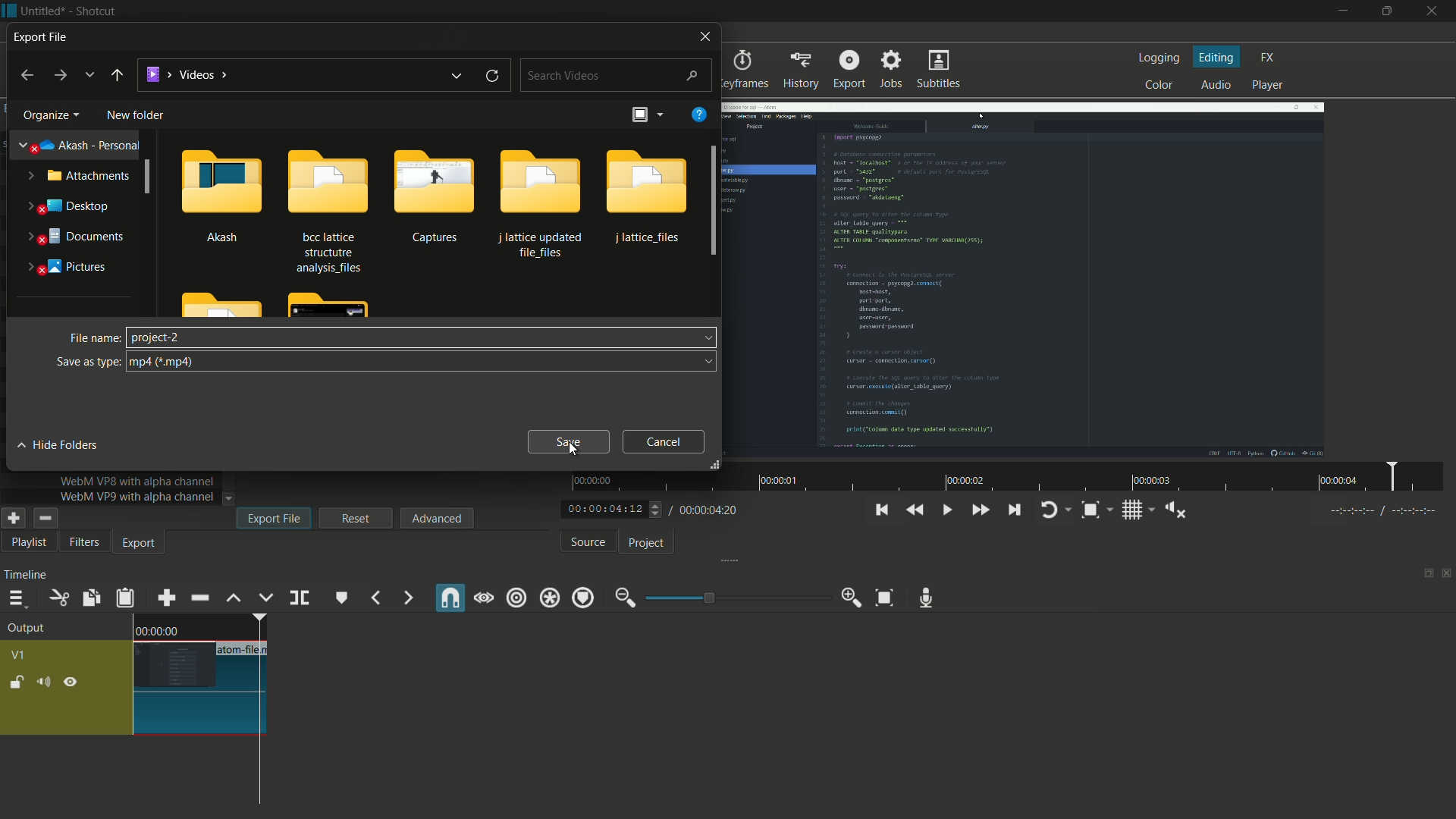  What do you see at coordinates (435, 518) in the screenshot?
I see `advanced` at bounding box center [435, 518].